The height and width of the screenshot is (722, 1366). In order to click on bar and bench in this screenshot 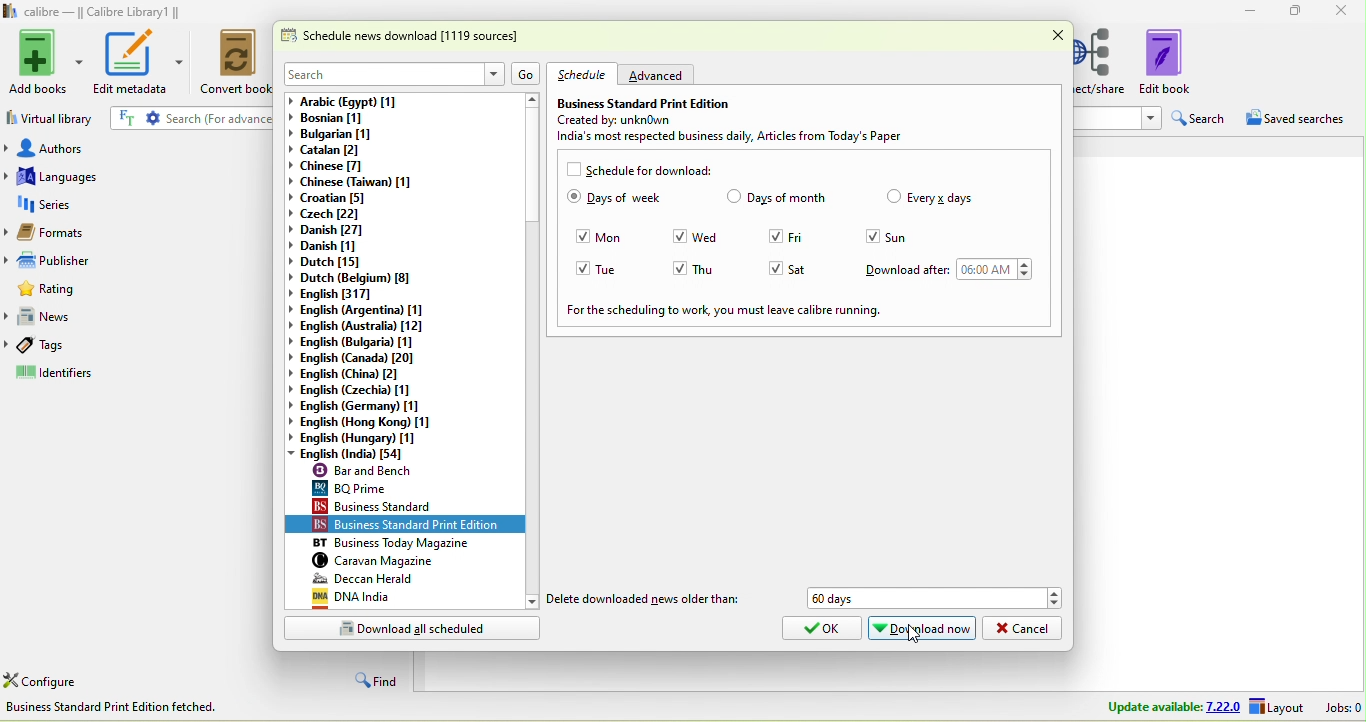, I will do `click(408, 470)`.